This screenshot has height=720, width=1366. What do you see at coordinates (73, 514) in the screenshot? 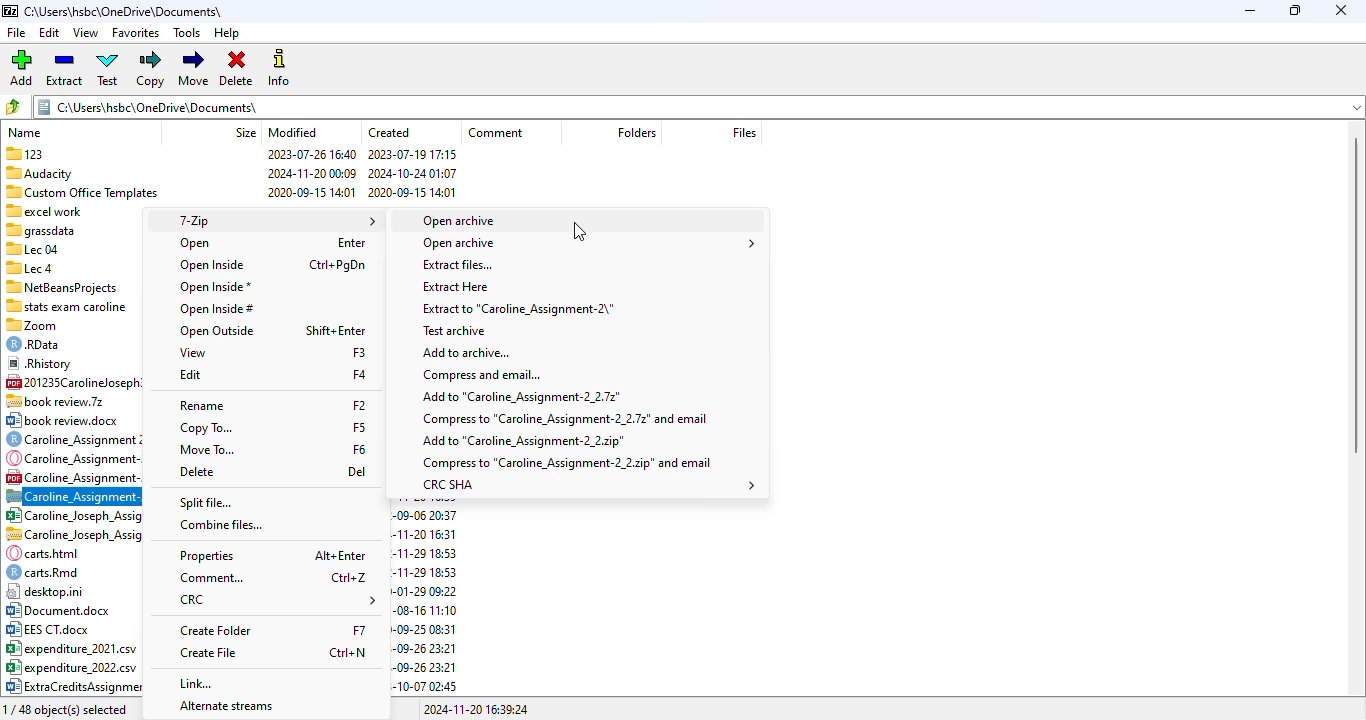
I see `85 Caroline Joseph Assigf¥.. 111870 2022-09-06 20:37 2022-09-06 20:37` at bounding box center [73, 514].